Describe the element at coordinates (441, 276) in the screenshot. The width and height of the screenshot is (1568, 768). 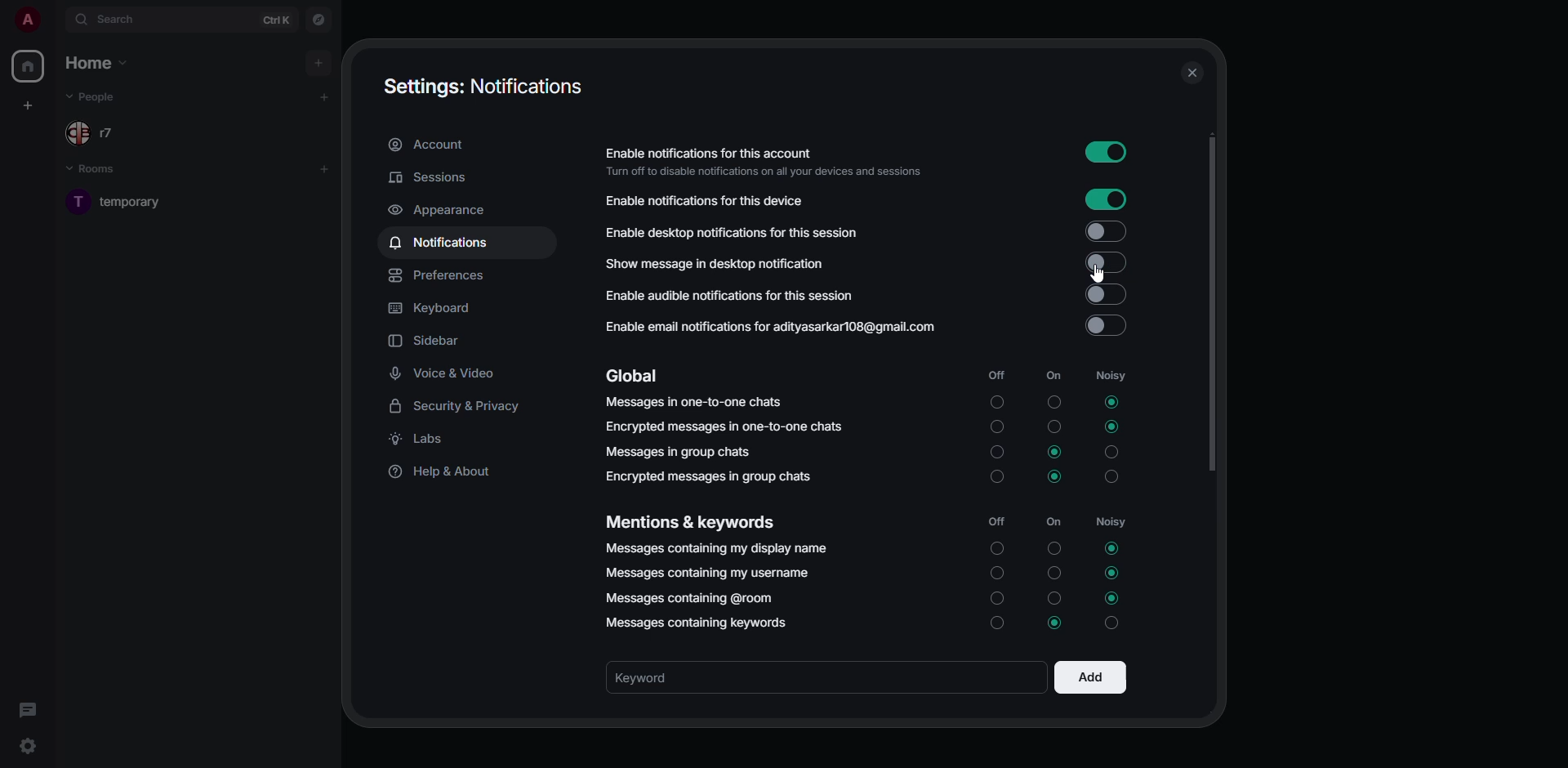
I see `preferences` at that location.